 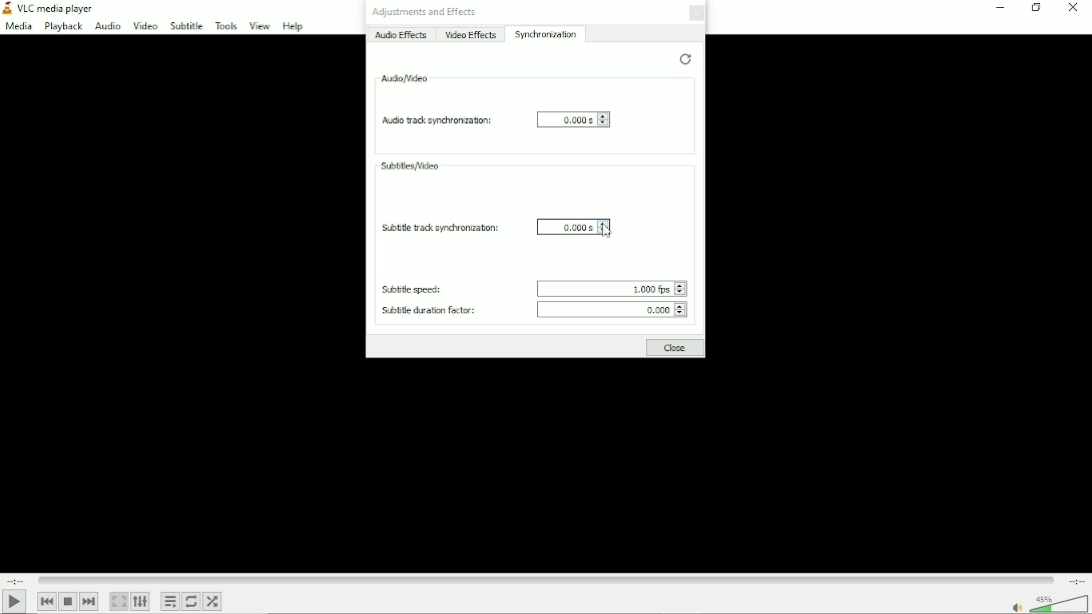 I want to click on Audio/video, so click(x=405, y=77).